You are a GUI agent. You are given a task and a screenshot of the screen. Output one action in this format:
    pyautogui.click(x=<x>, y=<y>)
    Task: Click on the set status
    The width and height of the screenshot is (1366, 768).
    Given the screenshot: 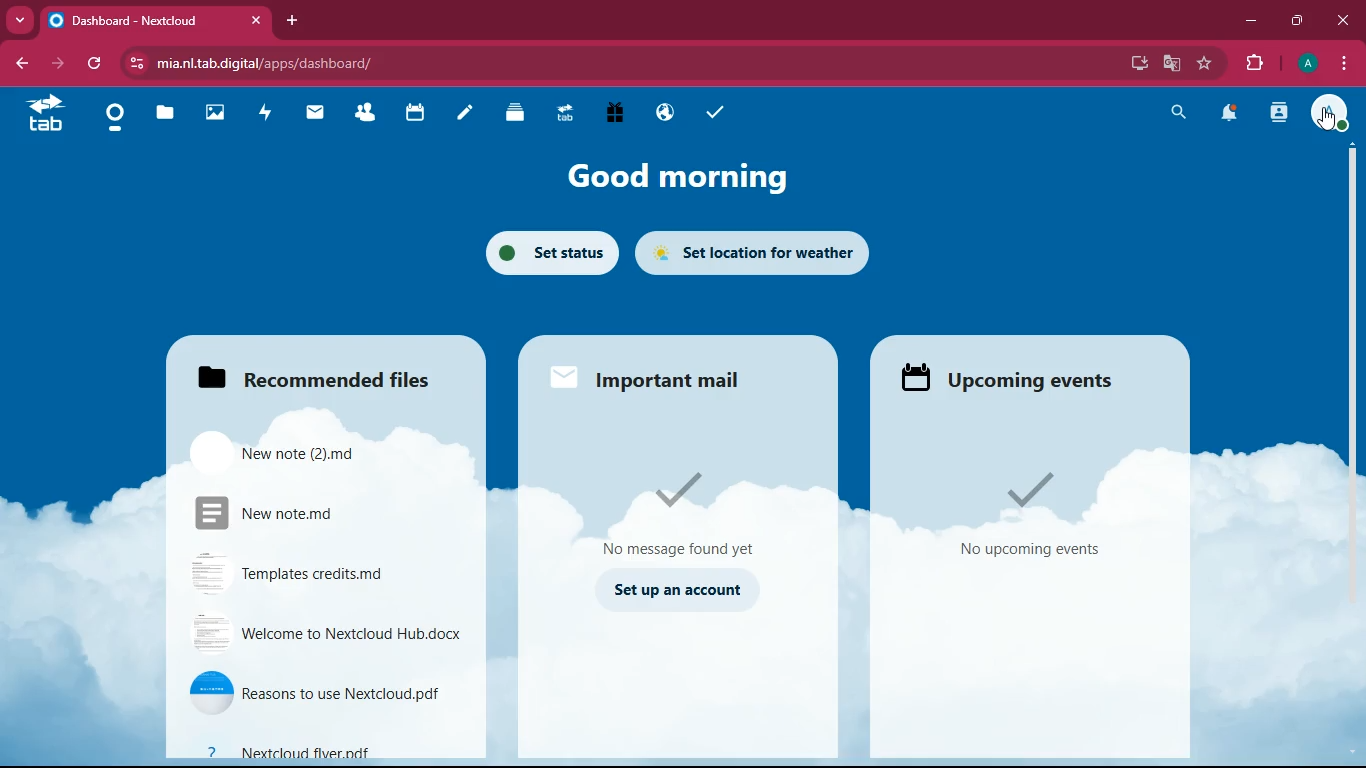 What is the action you would take?
    pyautogui.click(x=544, y=256)
    